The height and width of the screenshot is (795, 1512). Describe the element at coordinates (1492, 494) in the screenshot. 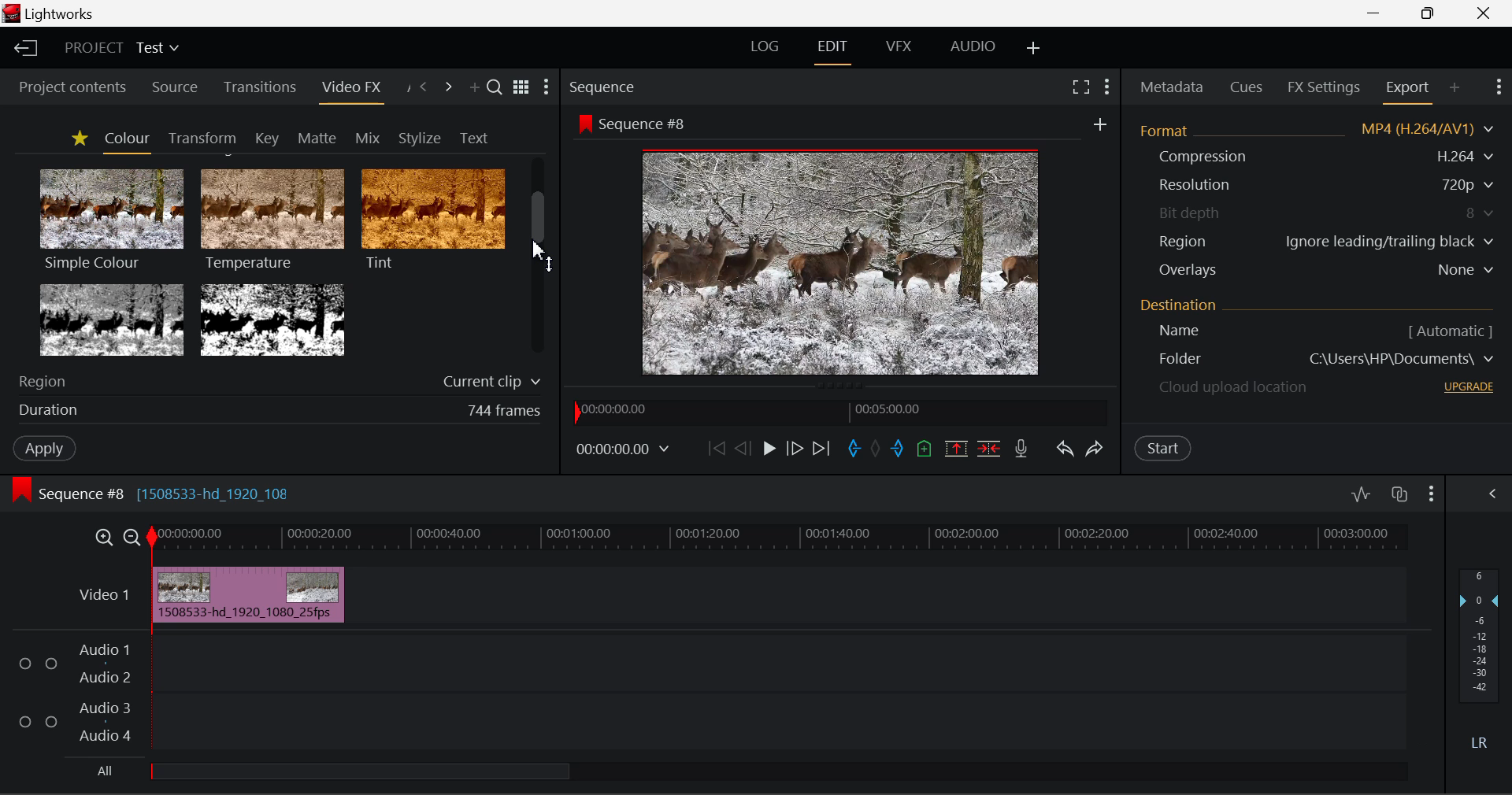

I see `Show Settings` at that location.